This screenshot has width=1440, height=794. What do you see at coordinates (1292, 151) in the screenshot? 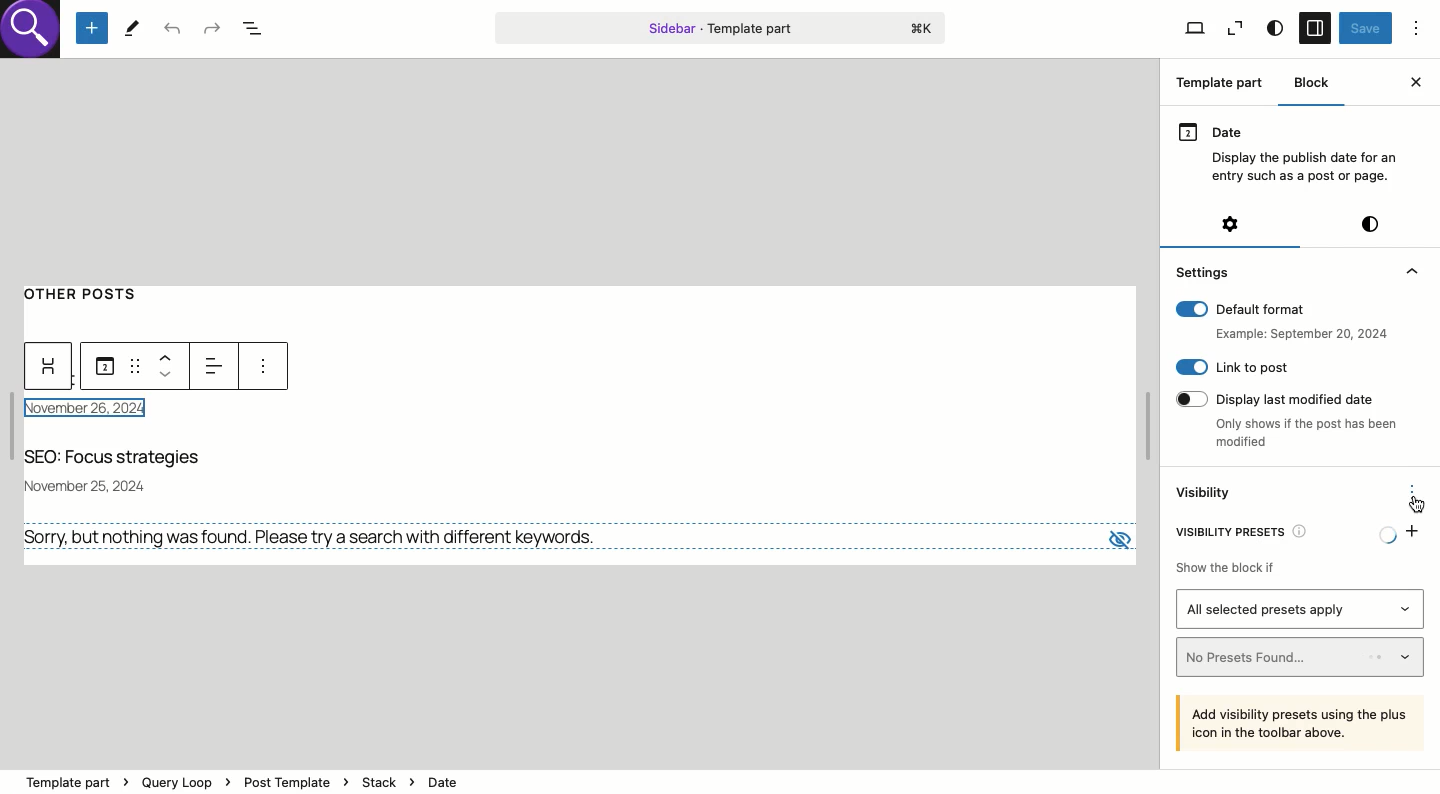
I see `Date` at bounding box center [1292, 151].